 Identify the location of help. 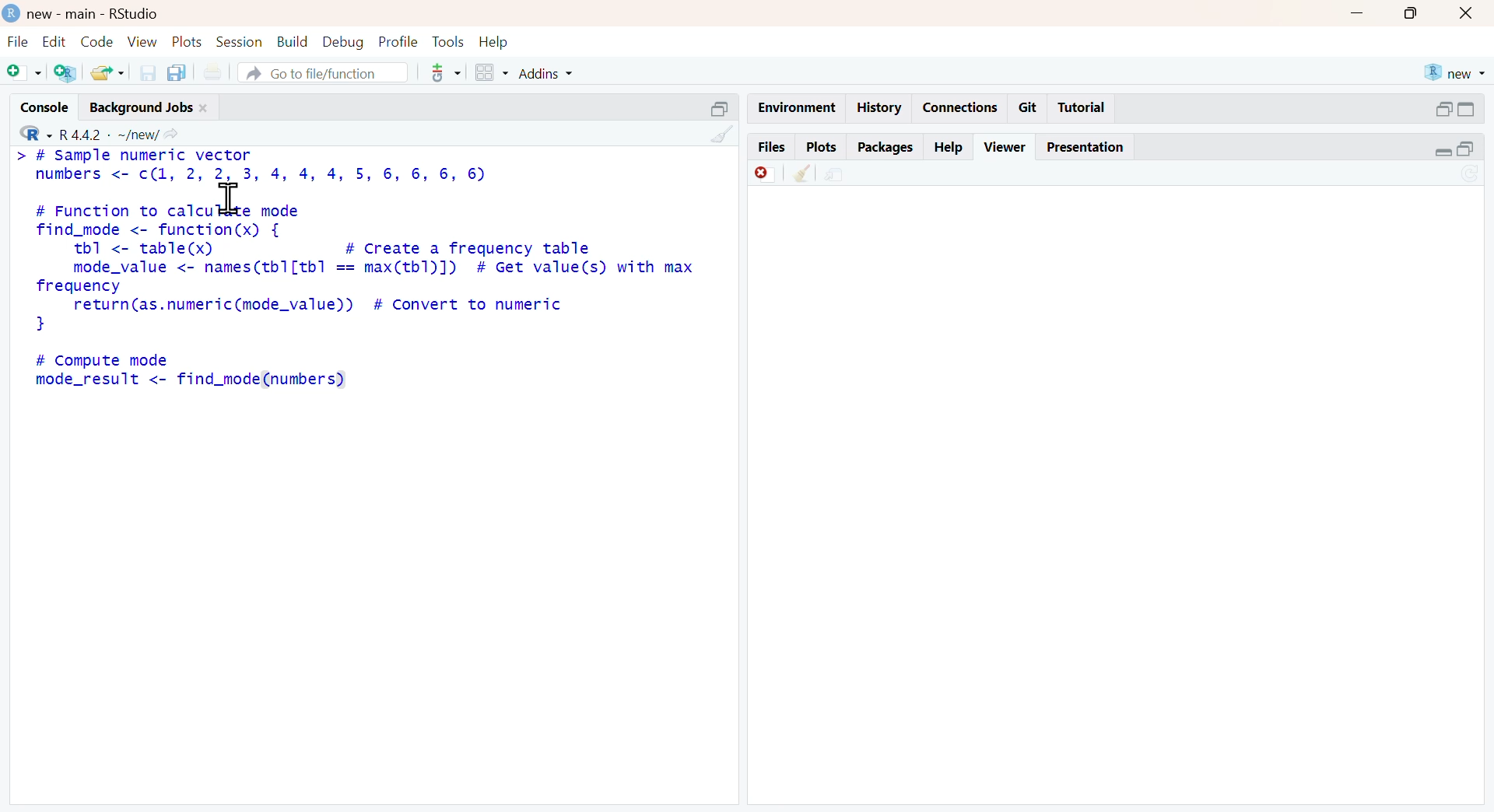
(950, 147).